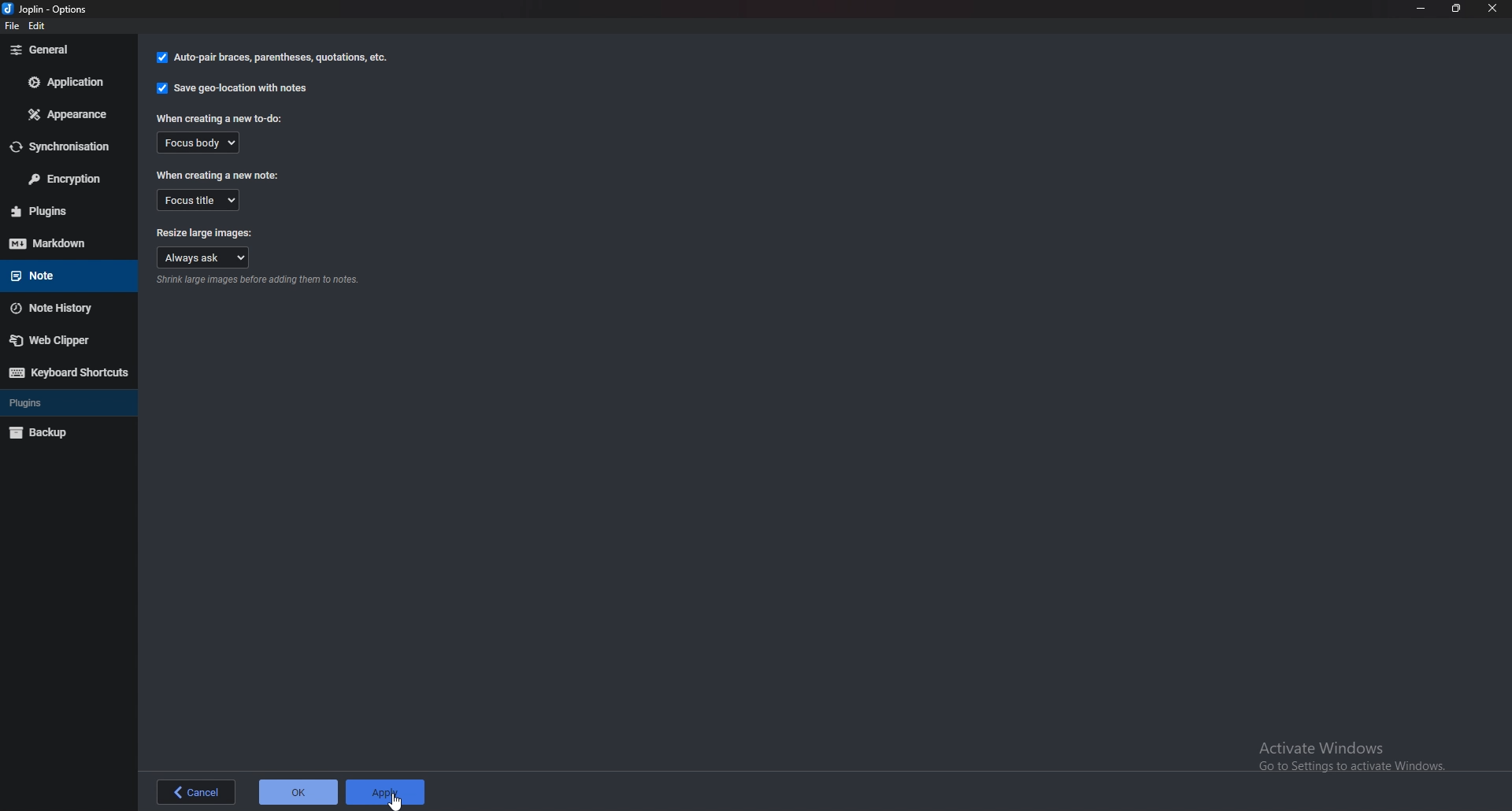 This screenshot has height=811, width=1512. I want to click on When creating a new to do, so click(222, 118).